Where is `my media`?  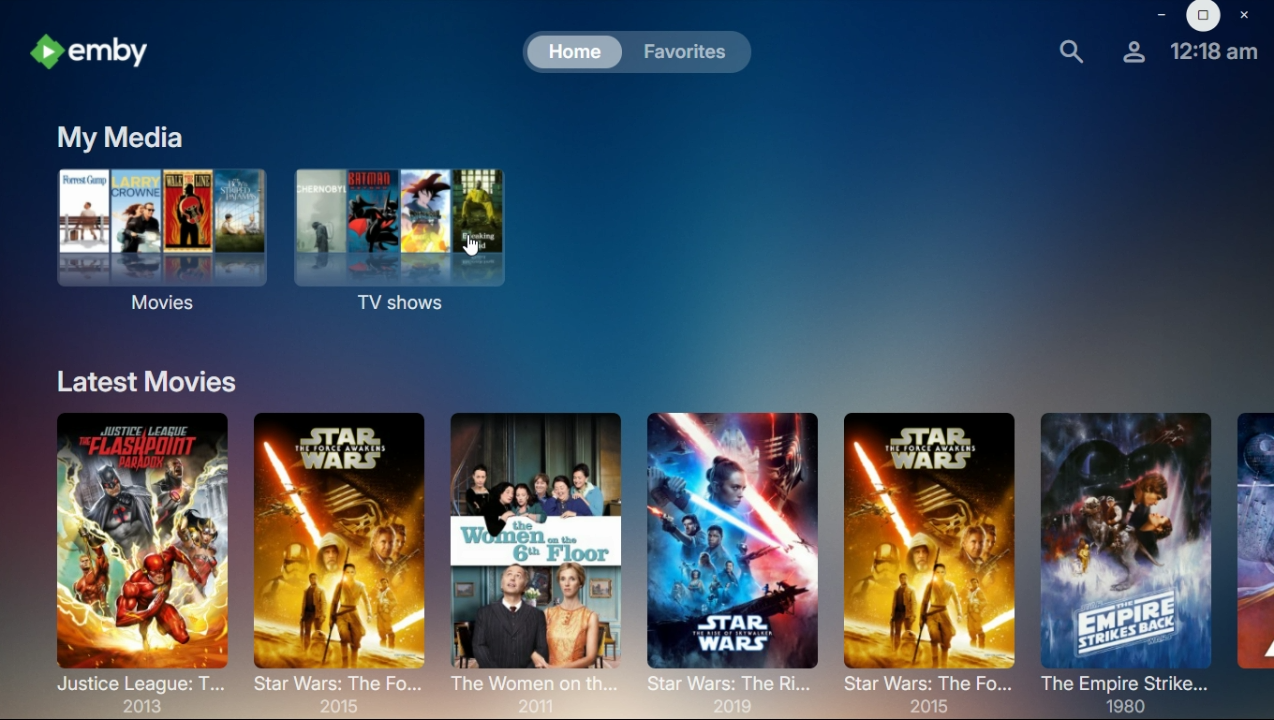
my media is located at coordinates (125, 138).